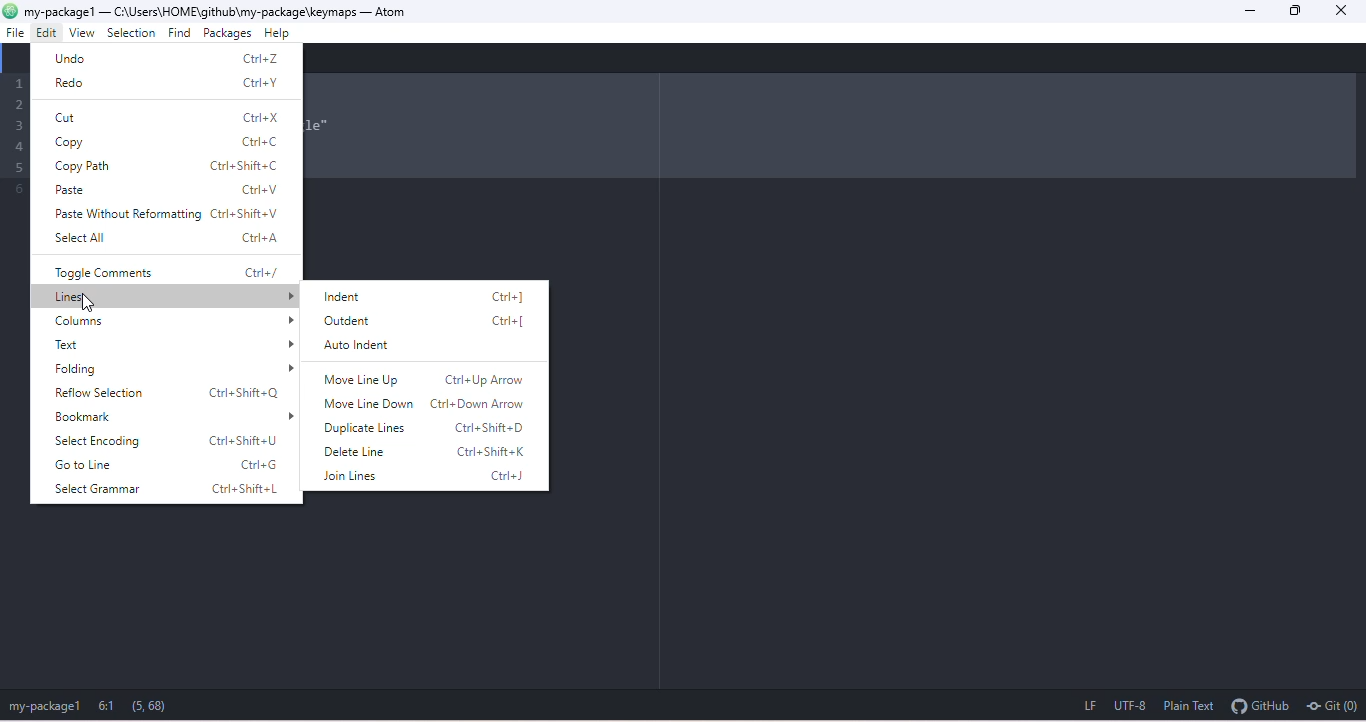  I want to click on bookmark, so click(170, 418).